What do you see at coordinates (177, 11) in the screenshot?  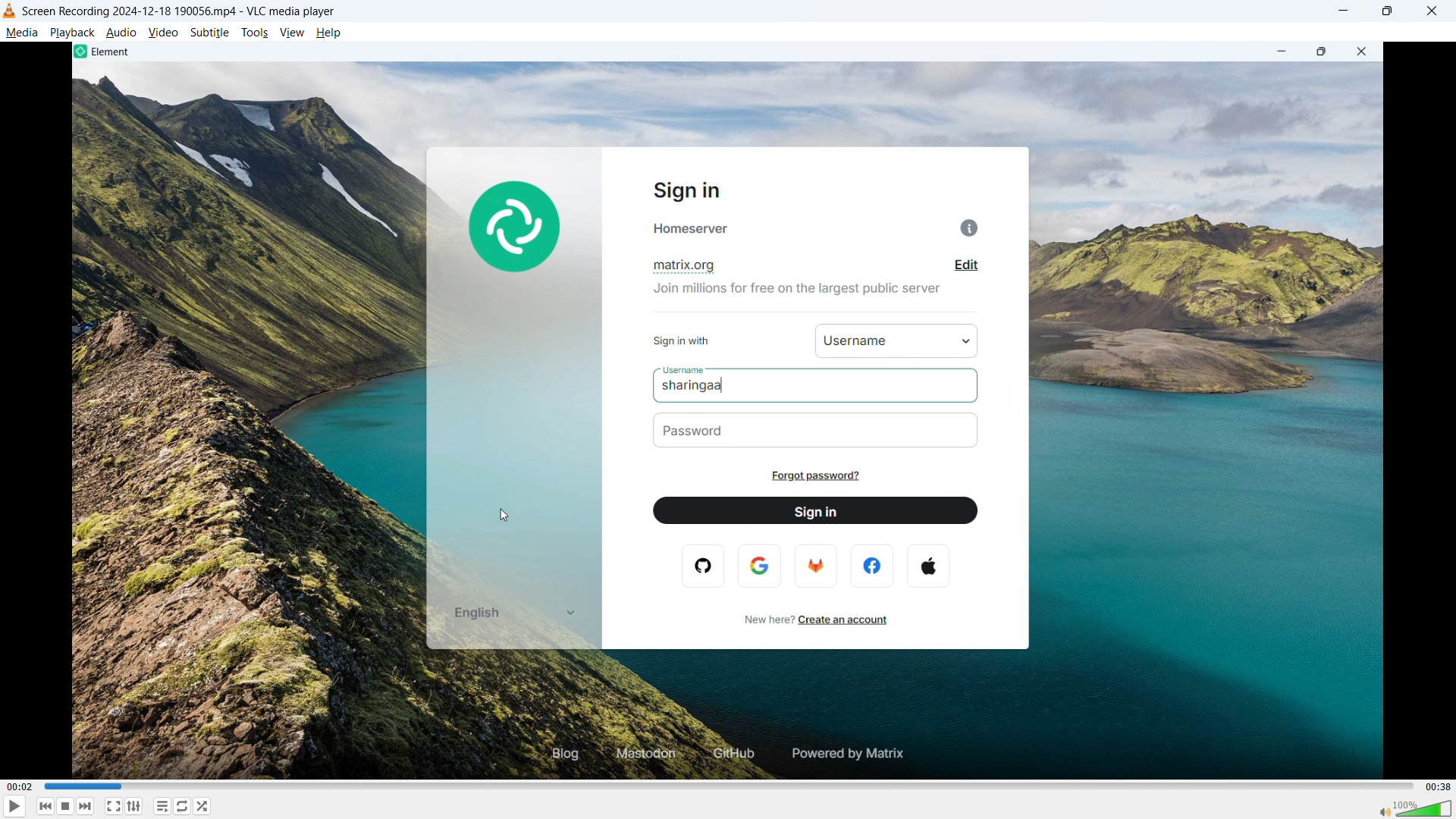 I see `Screen Recording 2024-12-18 190056.mp4 - VLC media player` at bounding box center [177, 11].